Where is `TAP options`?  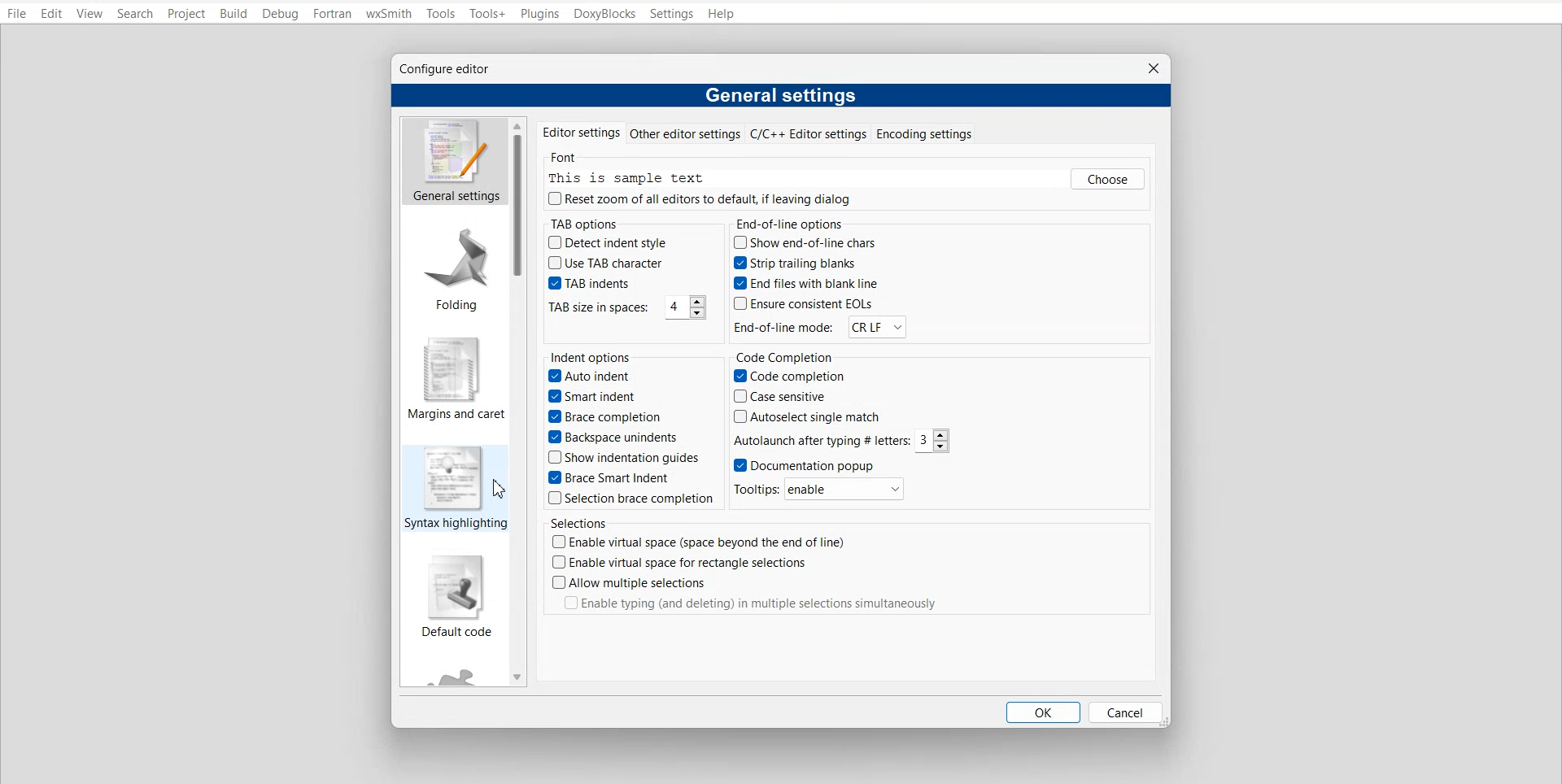
TAP options is located at coordinates (586, 224).